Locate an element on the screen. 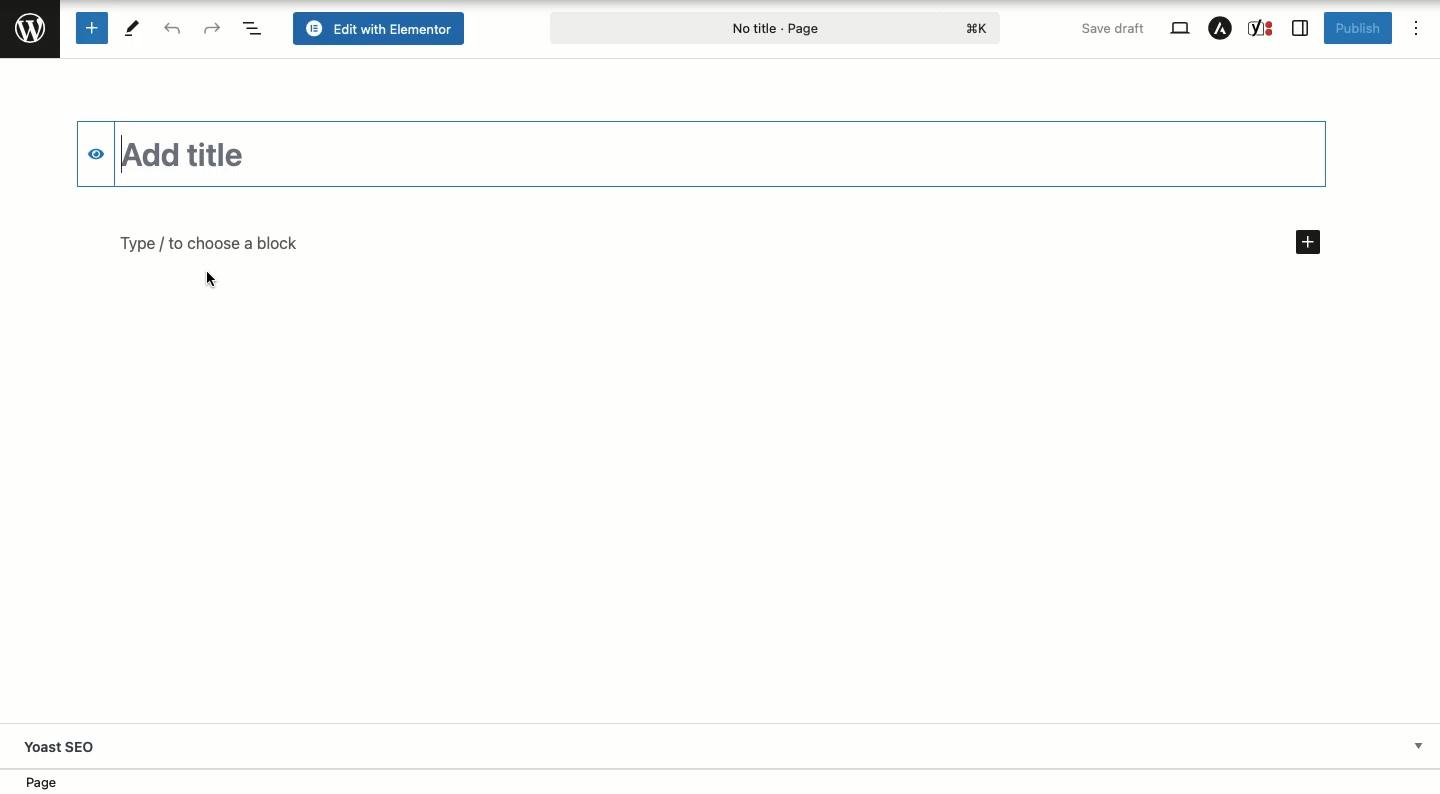 The image size is (1440, 794). Undo is located at coordinates (175, 28).